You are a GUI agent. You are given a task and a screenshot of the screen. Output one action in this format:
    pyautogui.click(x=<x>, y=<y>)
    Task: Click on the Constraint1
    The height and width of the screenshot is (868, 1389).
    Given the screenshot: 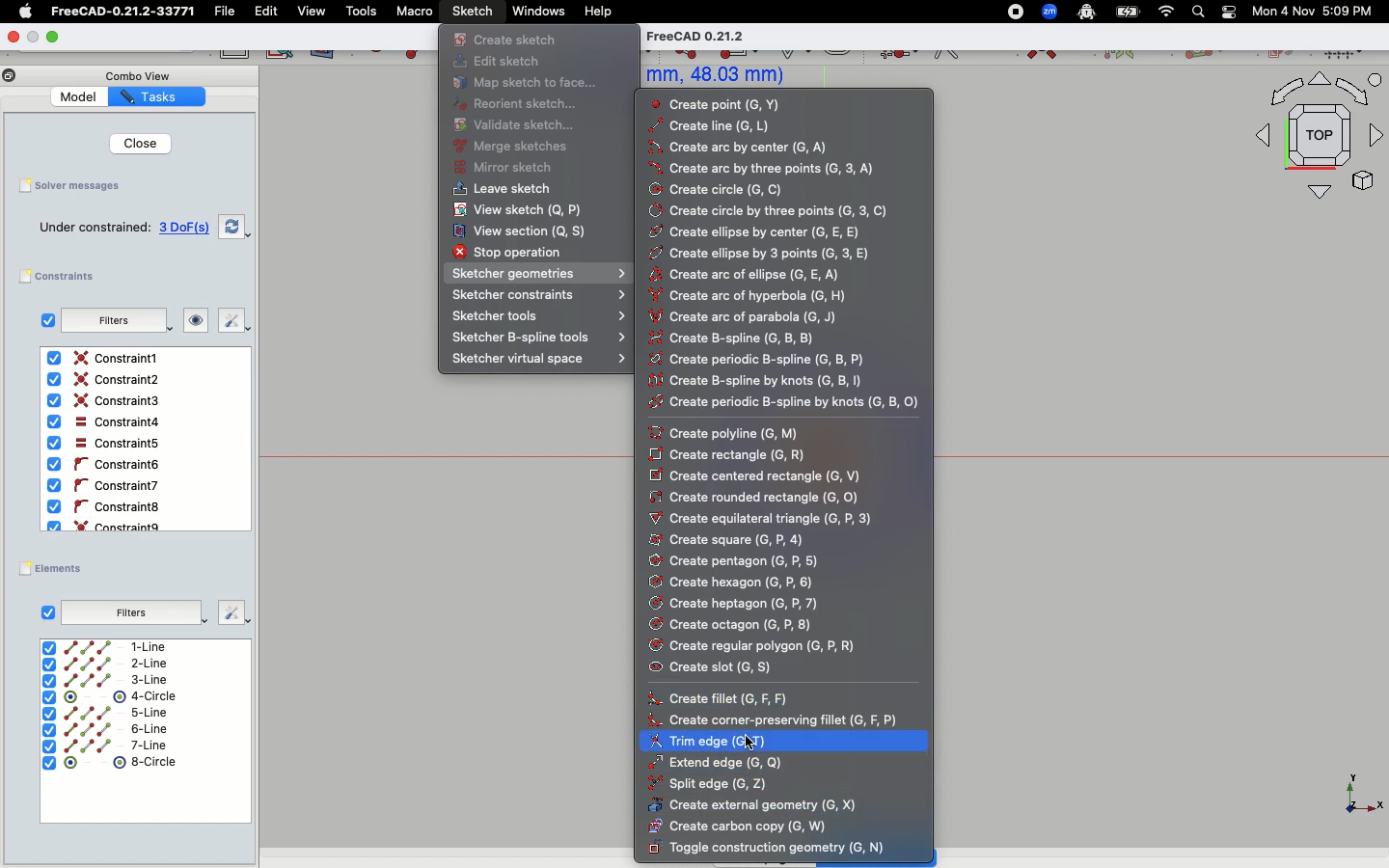 What is the action you would take?
    pyautogui.click(x=106, y=359)
    